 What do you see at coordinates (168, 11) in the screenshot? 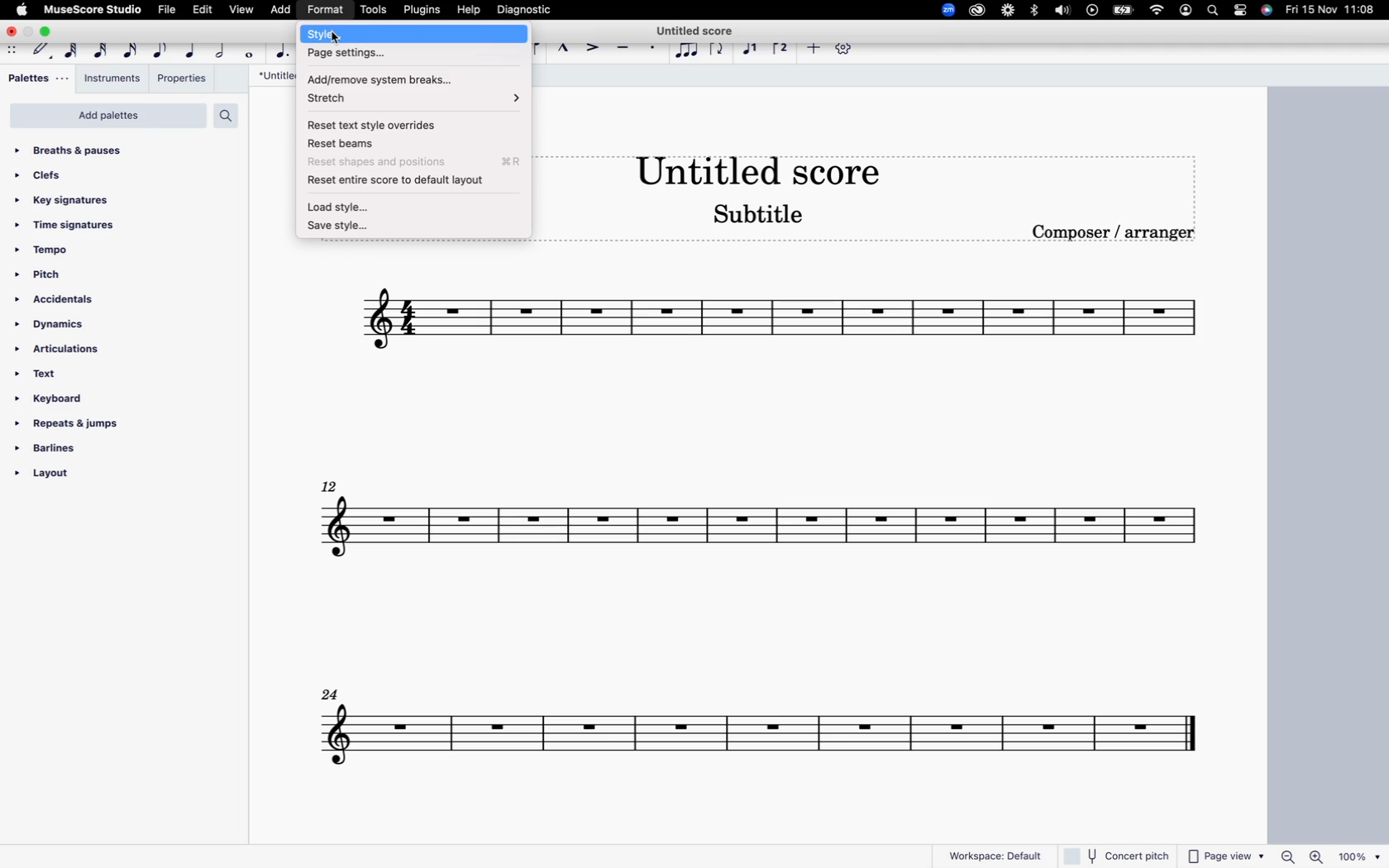
I see `file` at bounding box center [168, 11].